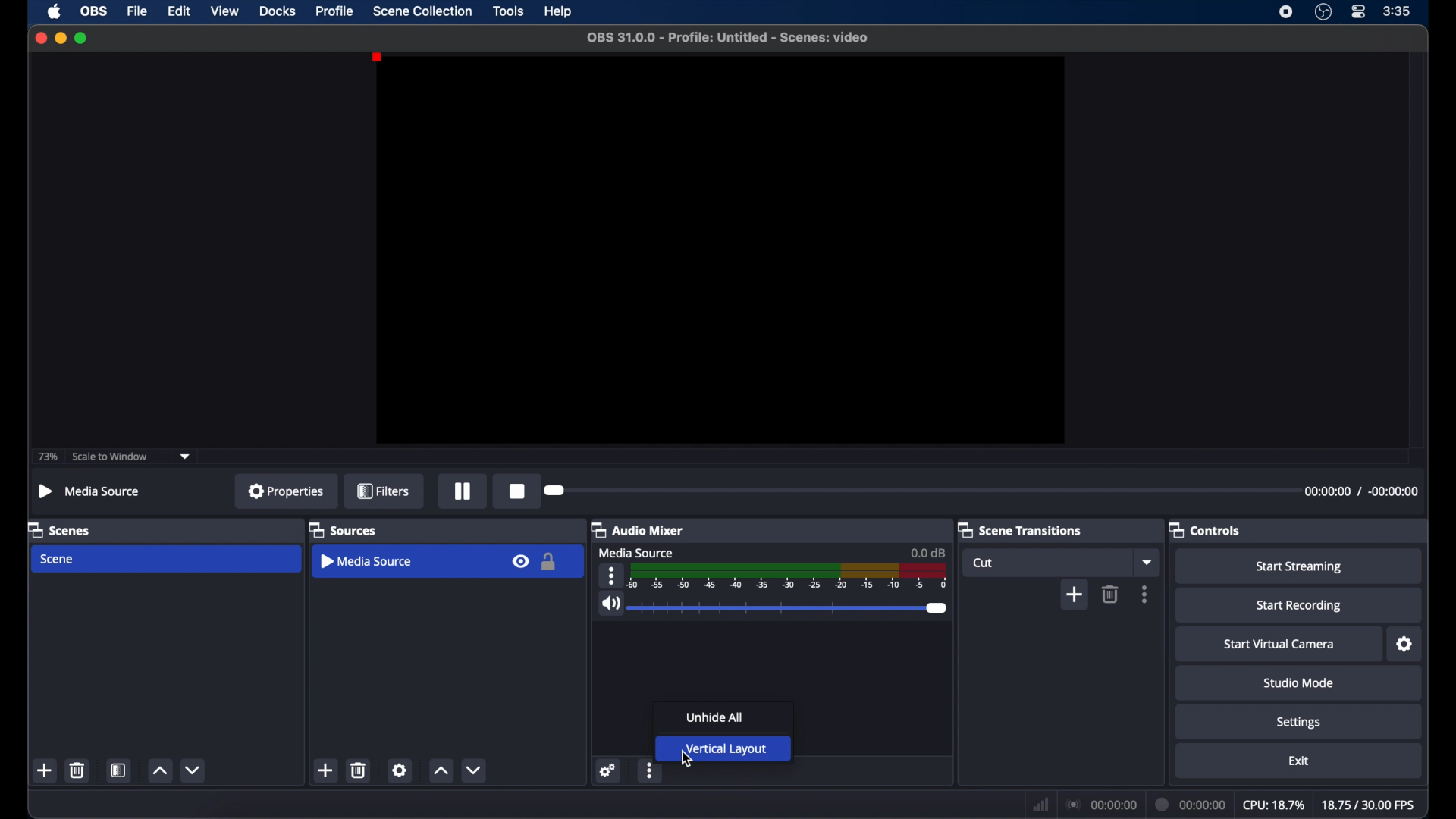 This screenshot has width=1456, height=819. Describe the element at coordinates (59, 529) in the screenshot. I see `scenes` at that location.